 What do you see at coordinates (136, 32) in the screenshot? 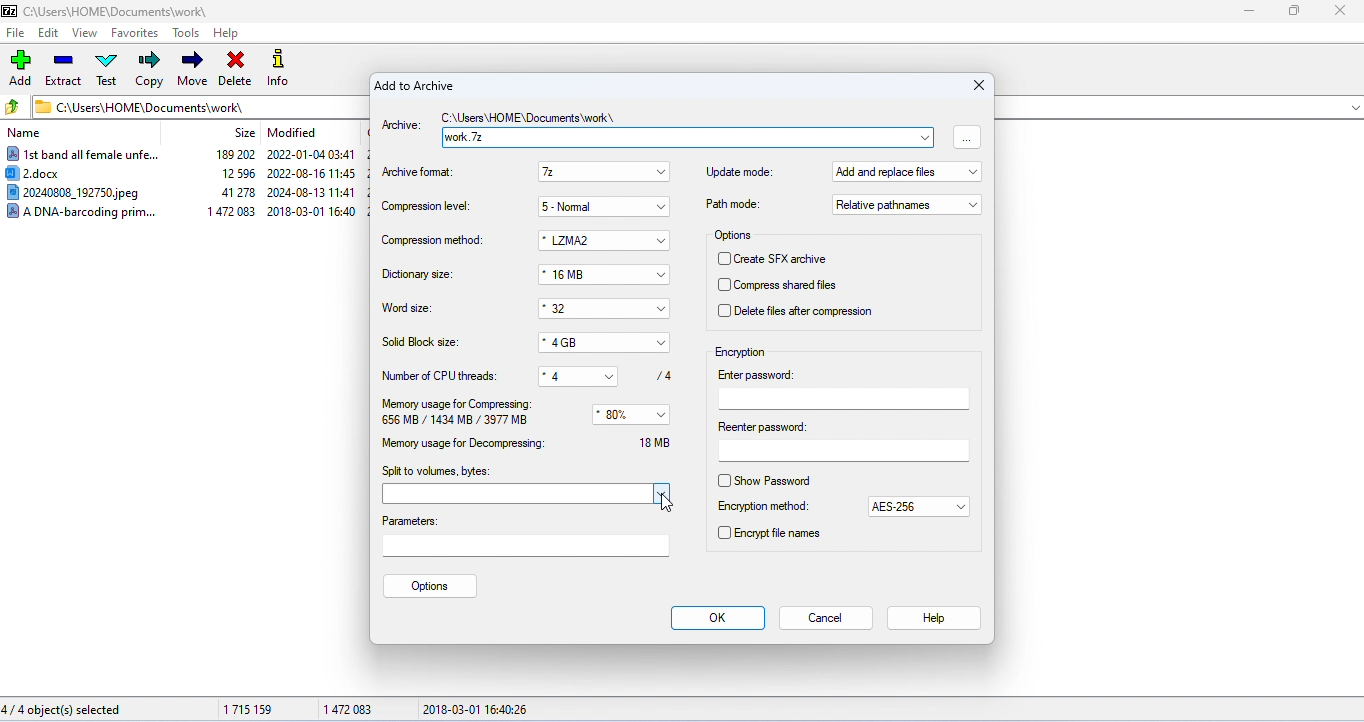
I see `favorites` at bounding box center [136, 32].